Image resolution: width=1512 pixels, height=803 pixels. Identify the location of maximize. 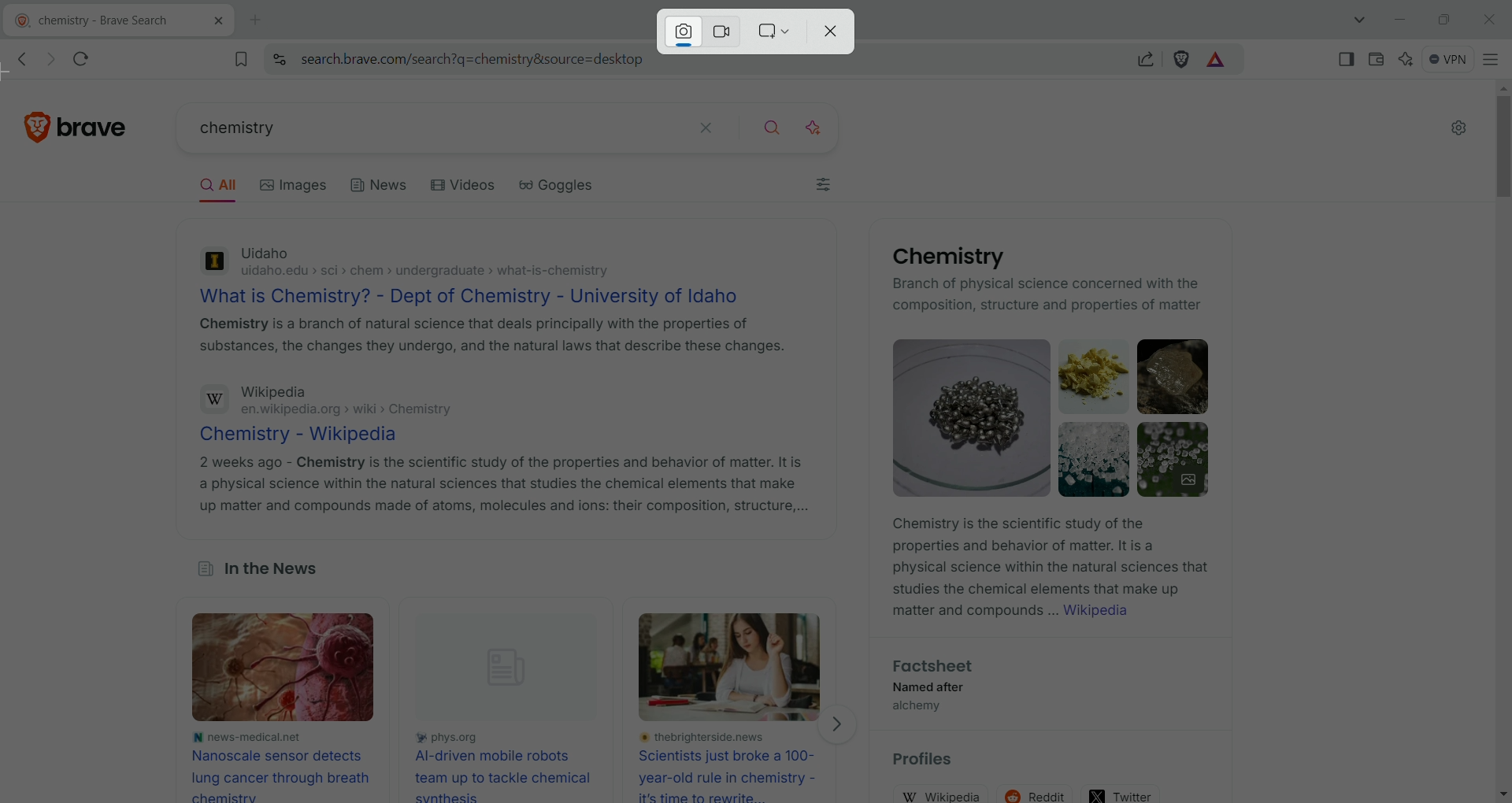
(1443, 18).